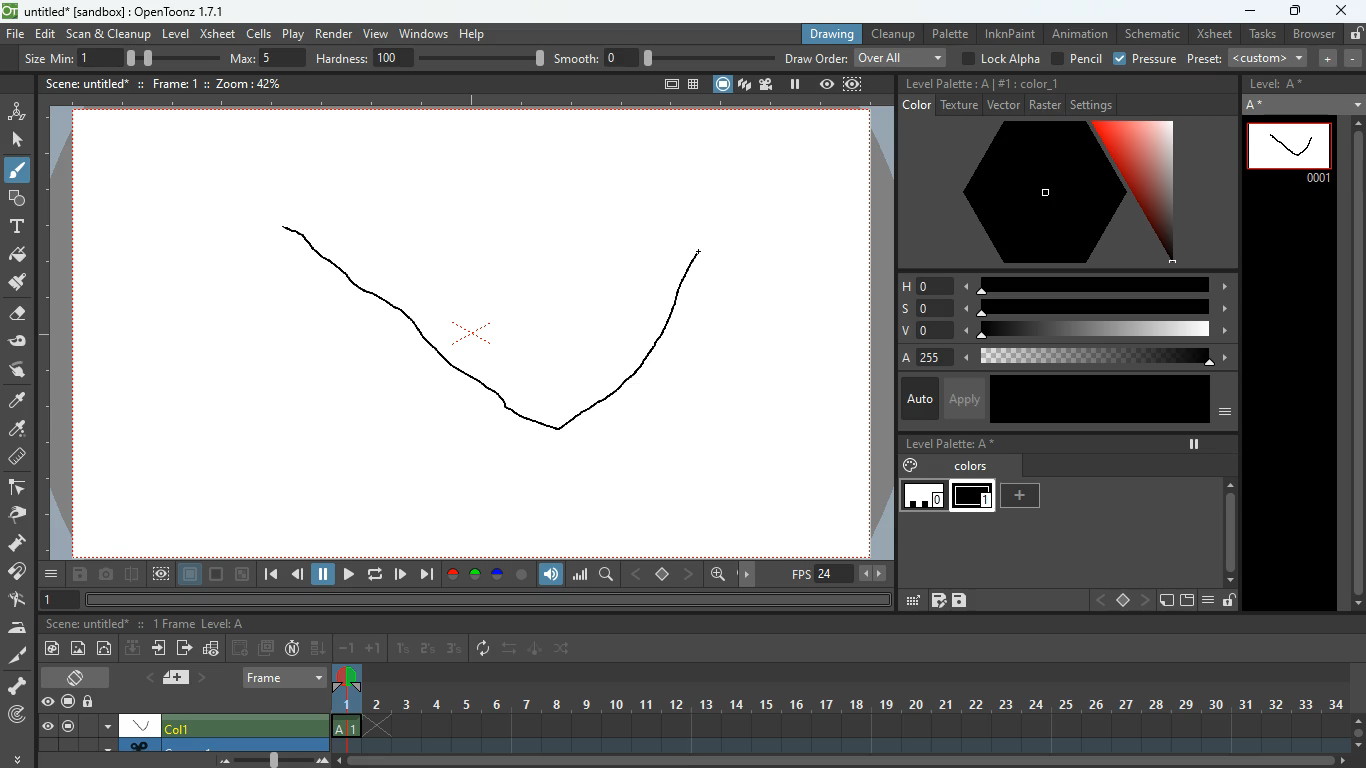  What do you see at coordinates (400, 574) in the screenshot?
I see `forward` at bounding box center [400, 574].